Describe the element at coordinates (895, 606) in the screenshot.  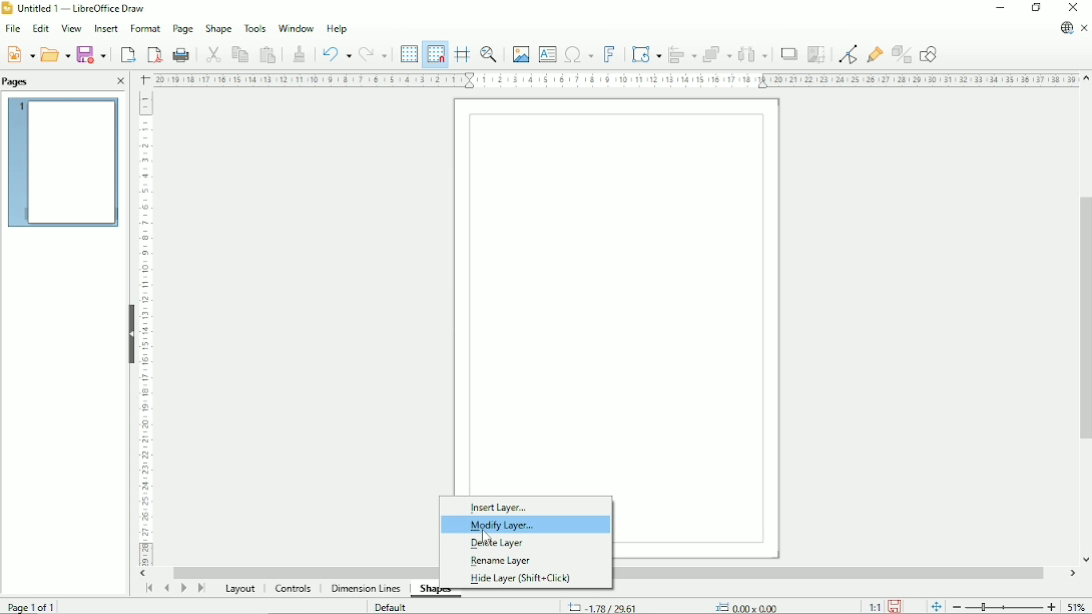
I see `Save` at that location.